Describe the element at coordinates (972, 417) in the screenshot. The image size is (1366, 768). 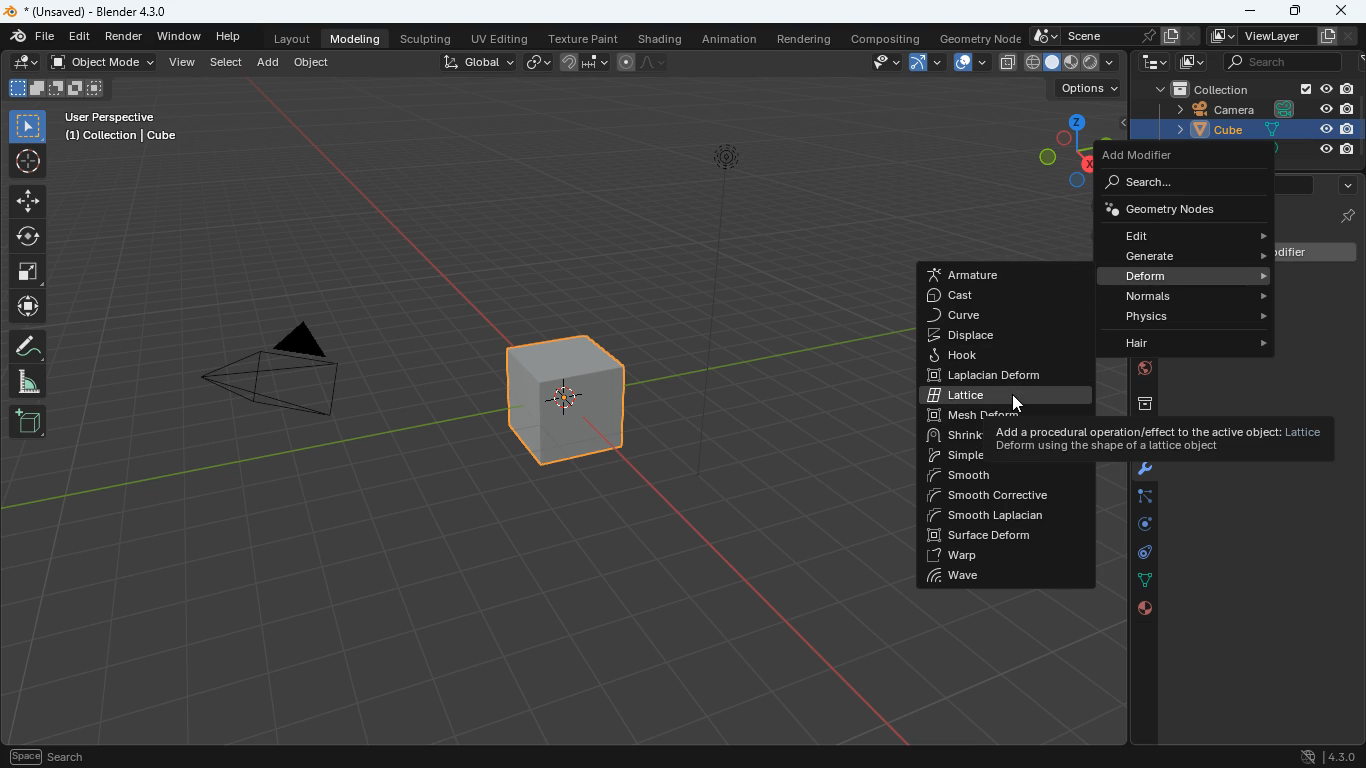
I see `mesh` at that location.